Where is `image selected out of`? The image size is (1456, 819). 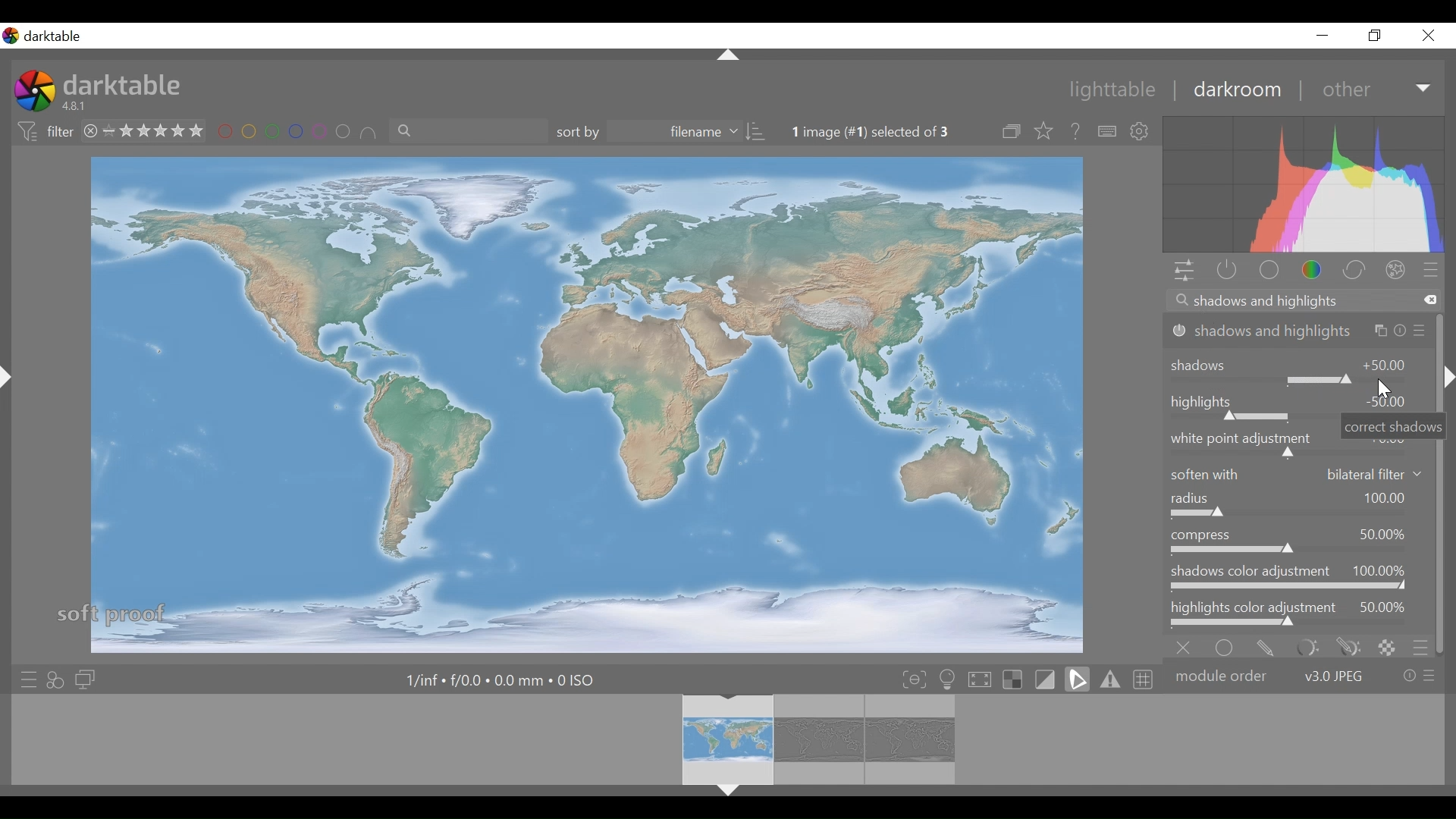 image selected out of is located at coordinates (884, 132).